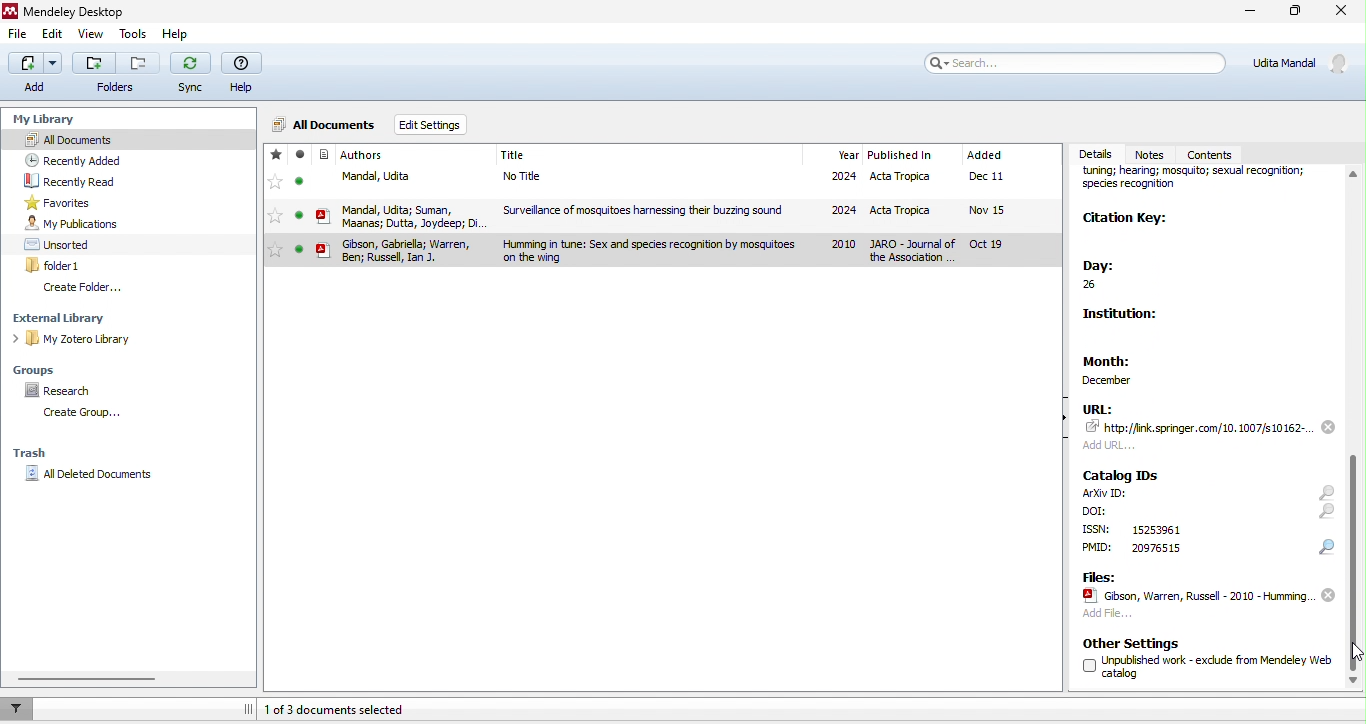 The height and width of the screenshot is (724, 1366). I want to click on favourites, so click(63, 203).